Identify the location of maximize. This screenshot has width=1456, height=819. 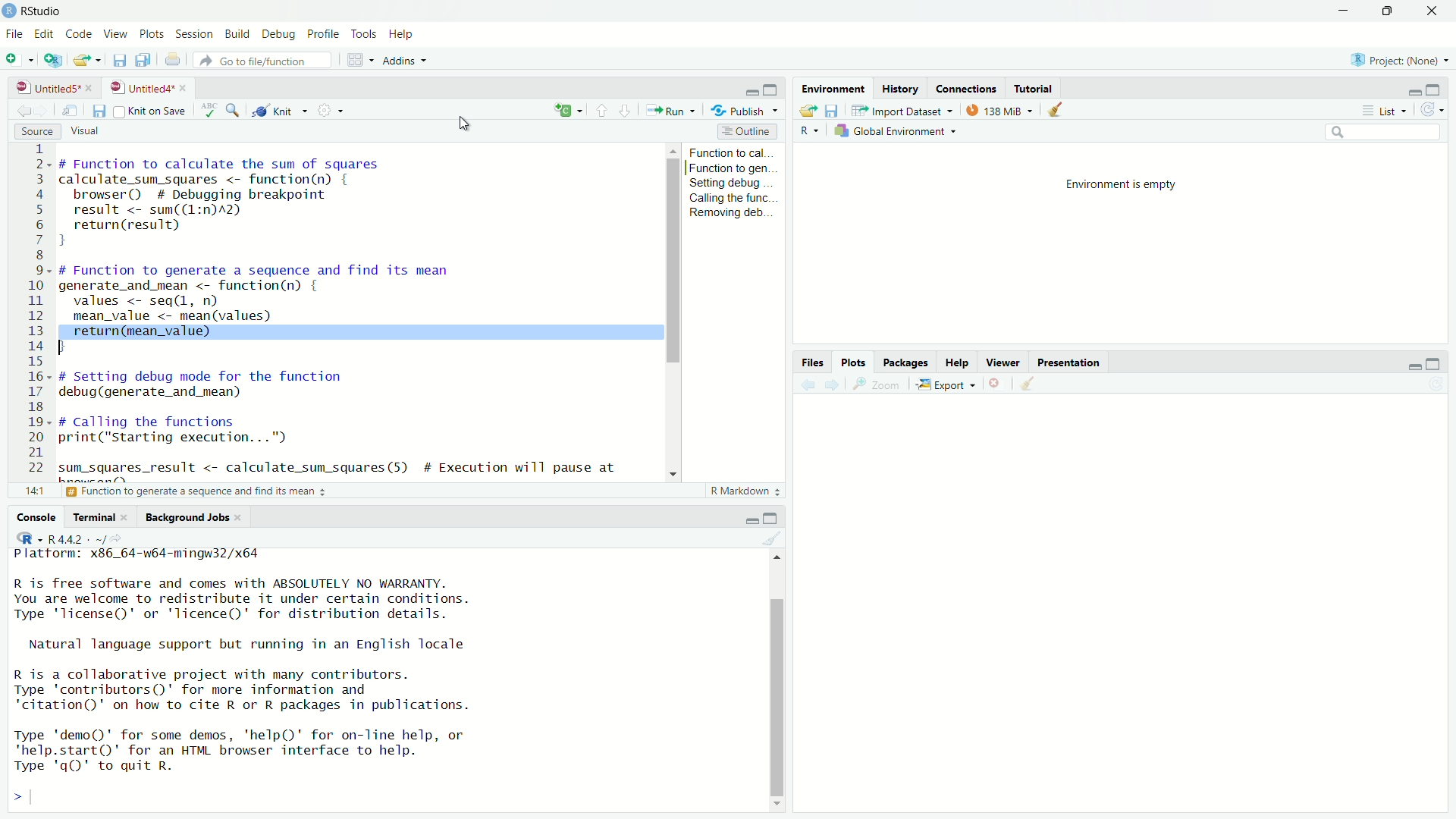
(1437, 88).